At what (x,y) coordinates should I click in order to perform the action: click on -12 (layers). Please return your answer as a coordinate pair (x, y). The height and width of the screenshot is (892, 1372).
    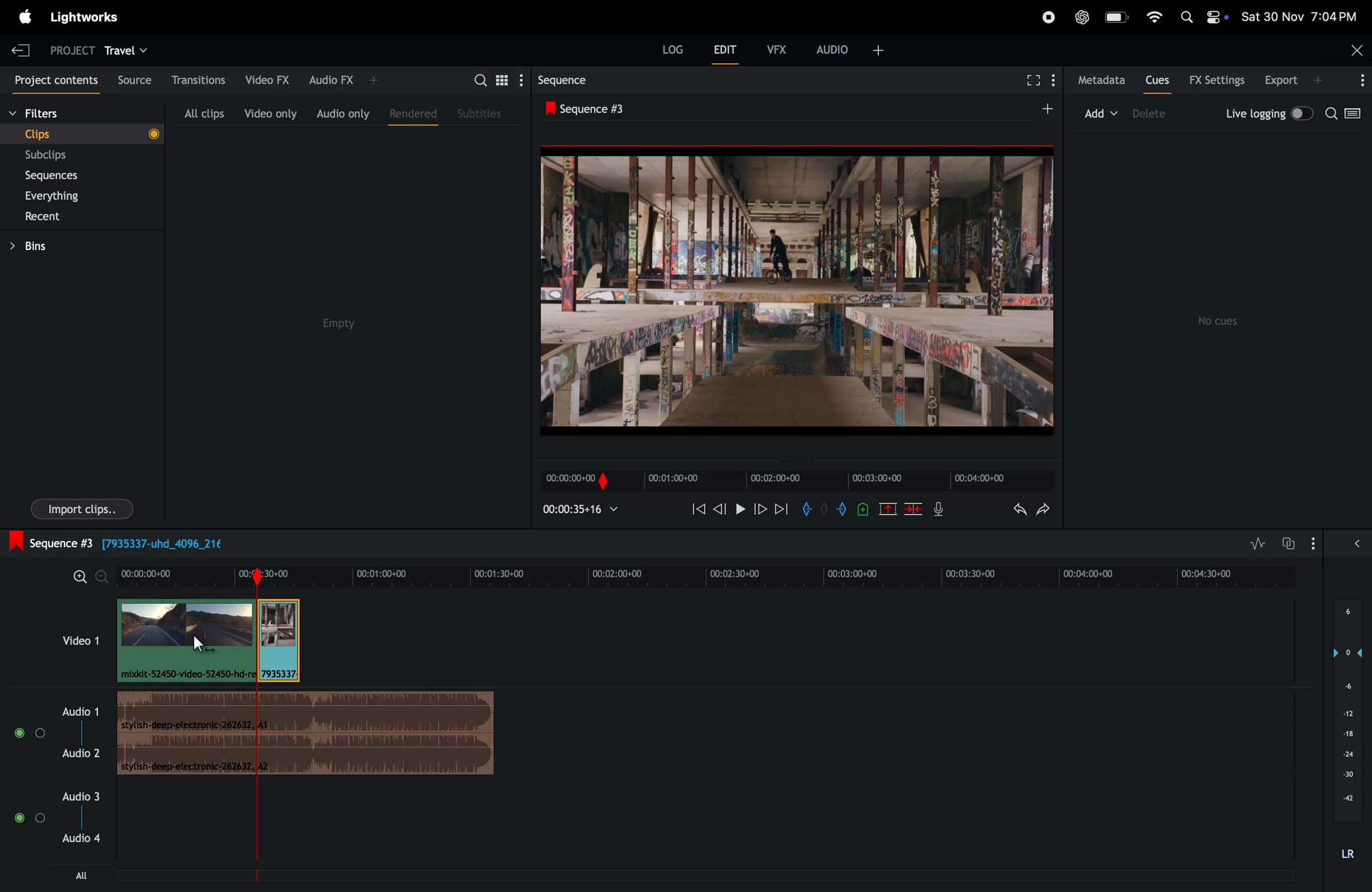
    Looking at the image, I should click on (1343, 713).